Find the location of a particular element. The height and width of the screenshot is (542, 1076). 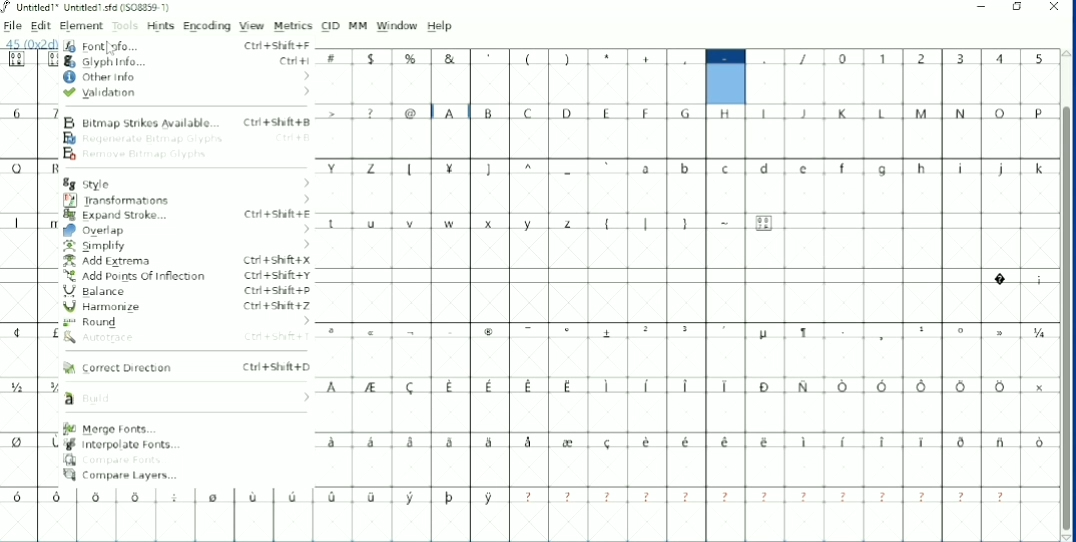

Symbols is located at coordinates (510, 498).